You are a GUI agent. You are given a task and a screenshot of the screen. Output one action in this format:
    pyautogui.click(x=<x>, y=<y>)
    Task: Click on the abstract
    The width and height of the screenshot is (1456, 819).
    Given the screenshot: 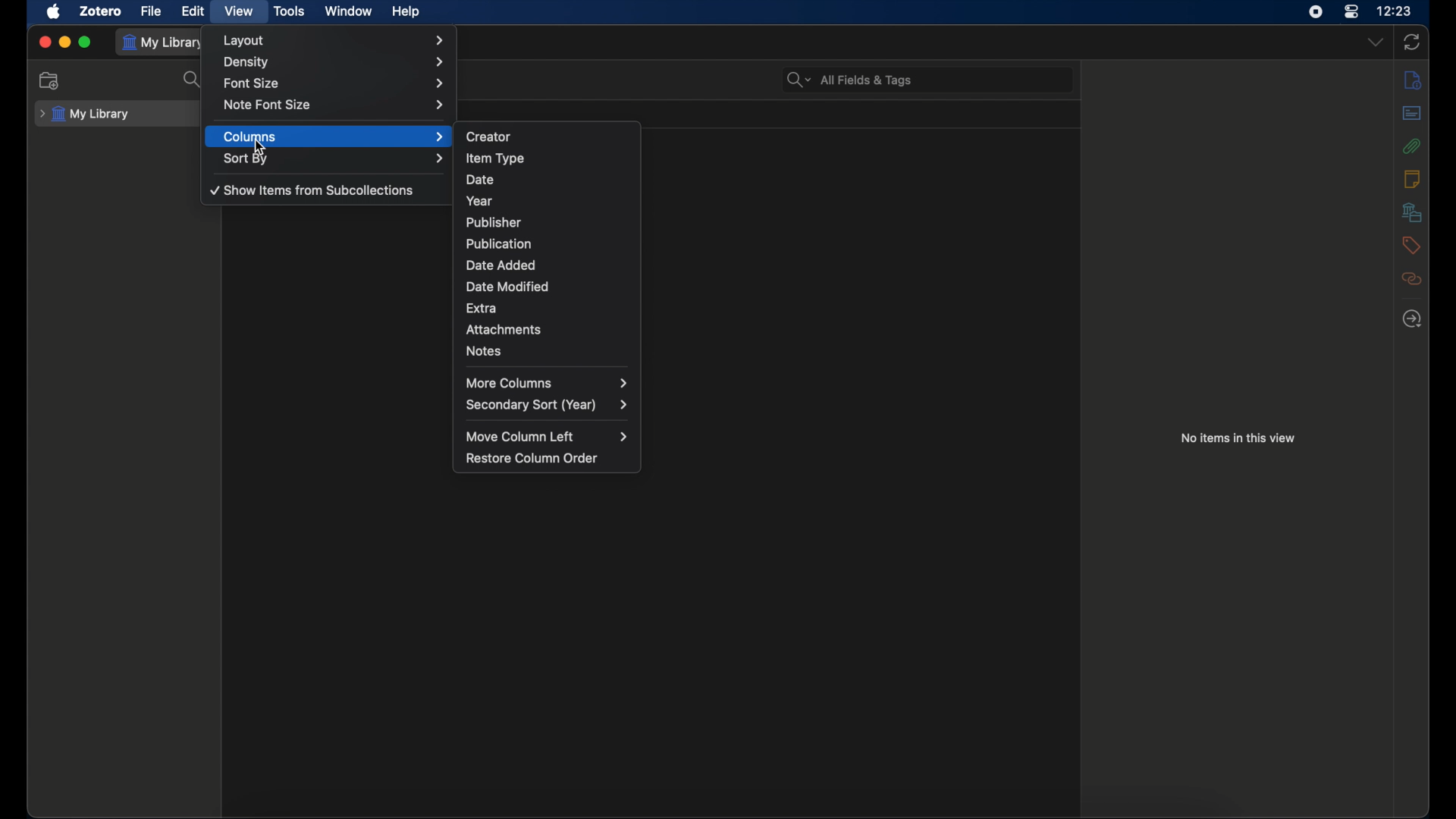 What is the action you would take?
    pyautogui.click(x=1412, y=113)
    